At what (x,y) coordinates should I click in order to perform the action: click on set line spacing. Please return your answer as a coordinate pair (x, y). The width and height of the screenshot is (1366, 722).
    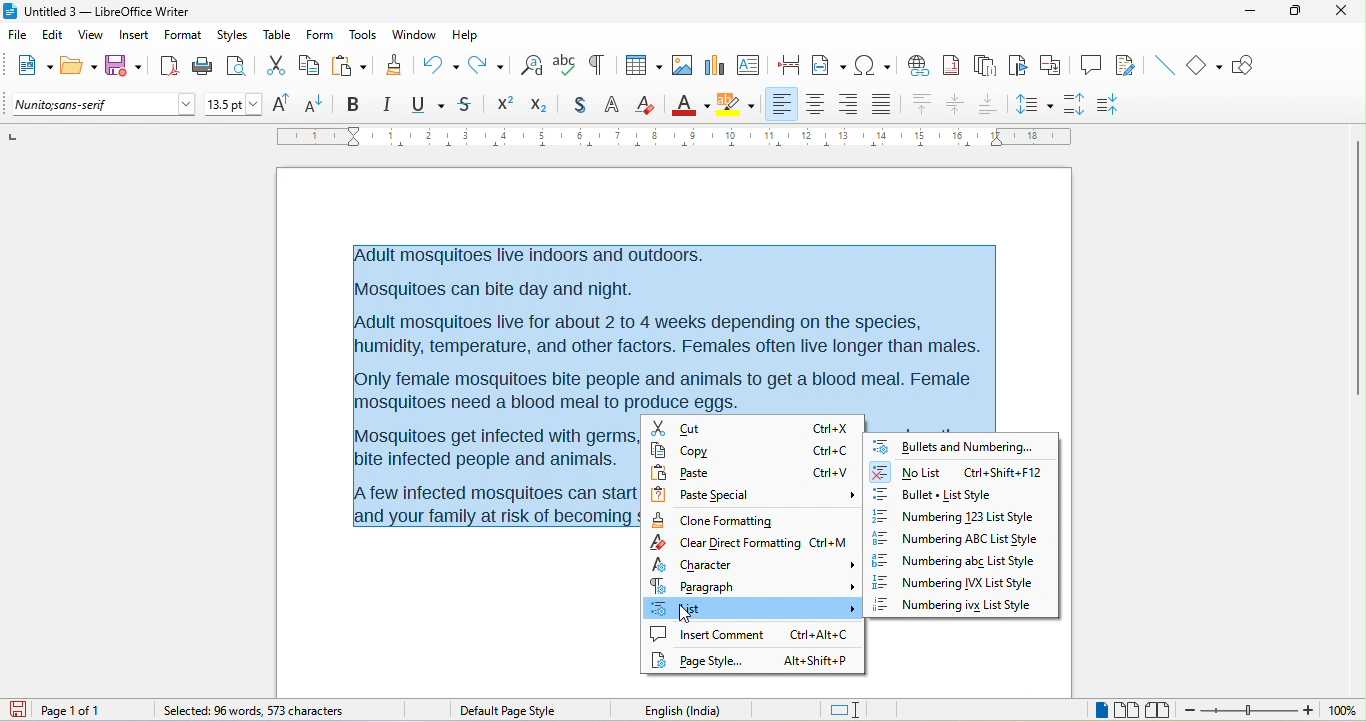
    Looking at the image, I should click on (1035, 103).